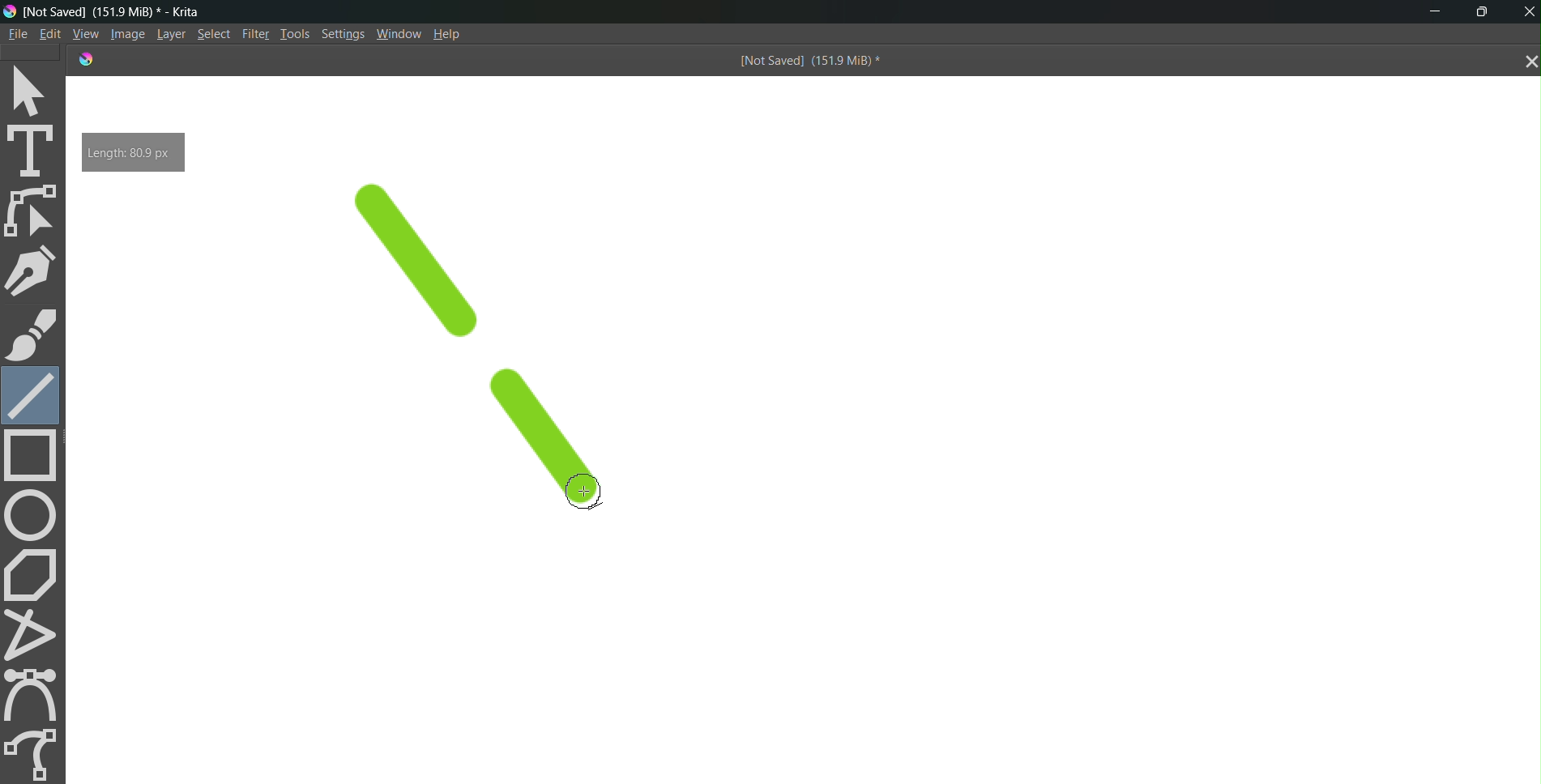  Describe the element at coordinates (428, 249) in the screenshot. I see `line` at that location.